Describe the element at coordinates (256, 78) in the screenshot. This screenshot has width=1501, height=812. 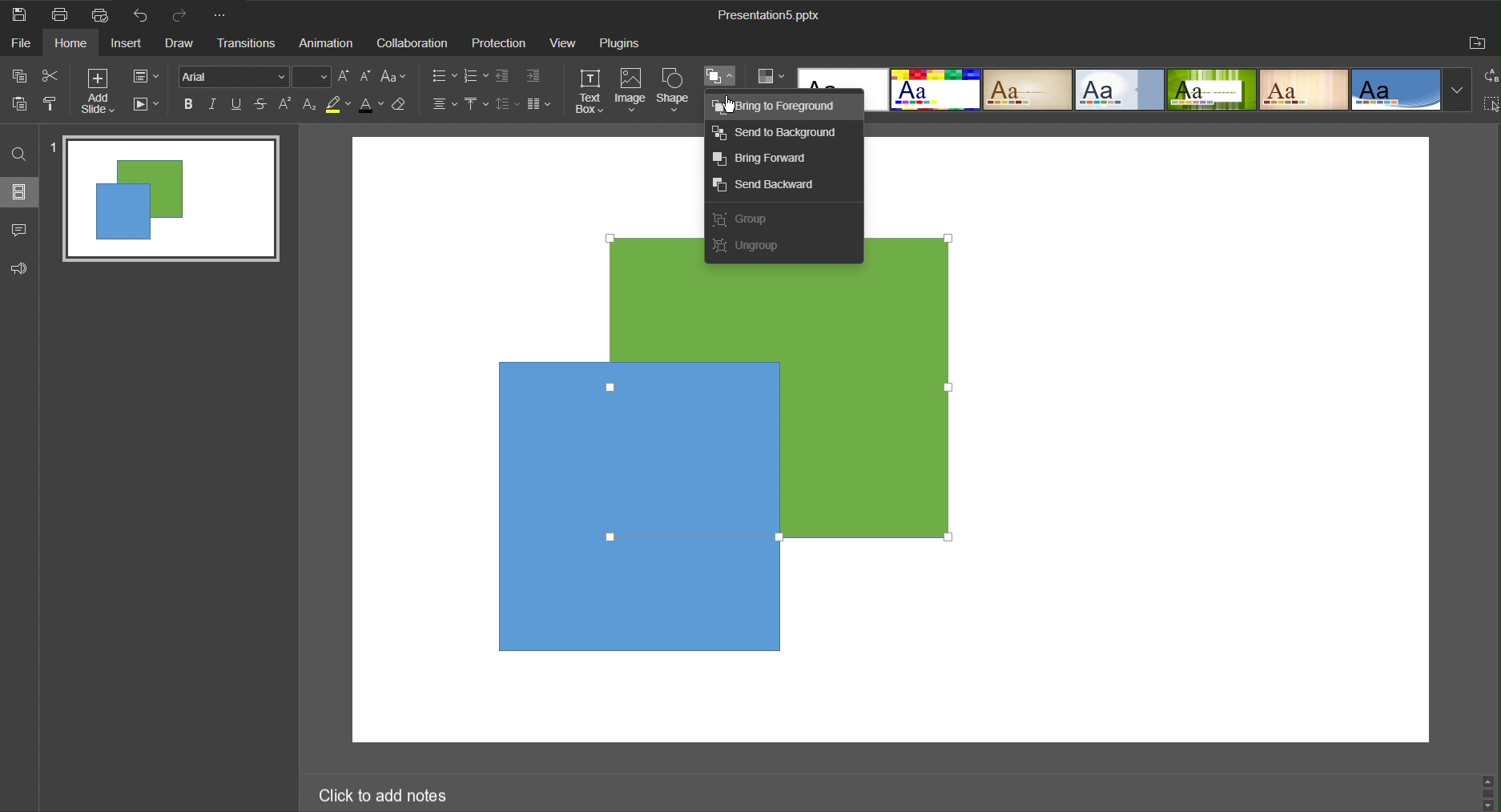
I see `Font Settings` at that location.